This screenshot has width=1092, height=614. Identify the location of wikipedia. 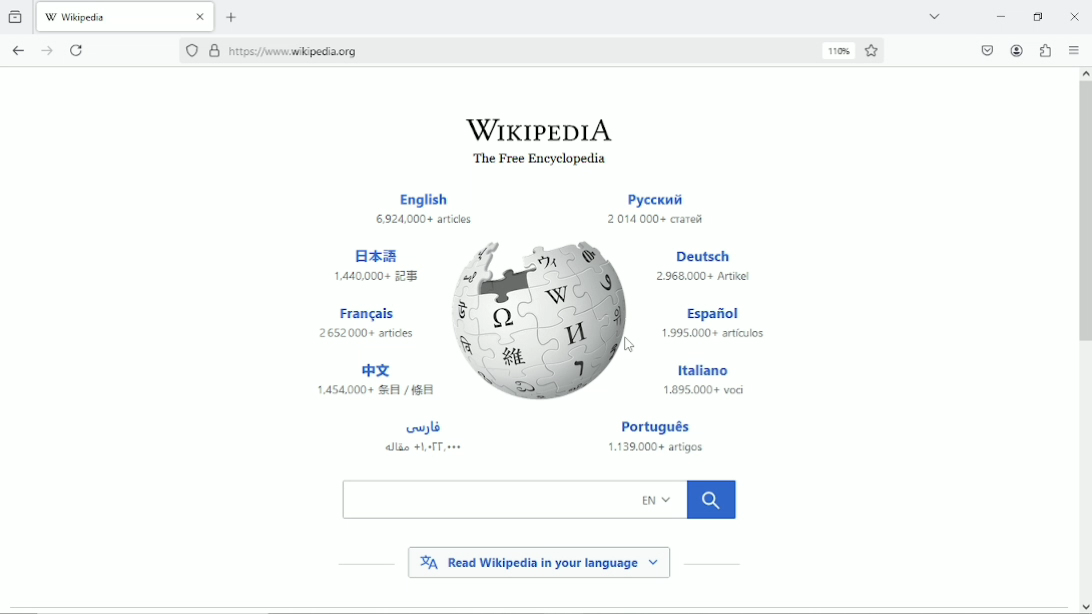
(538, 129).